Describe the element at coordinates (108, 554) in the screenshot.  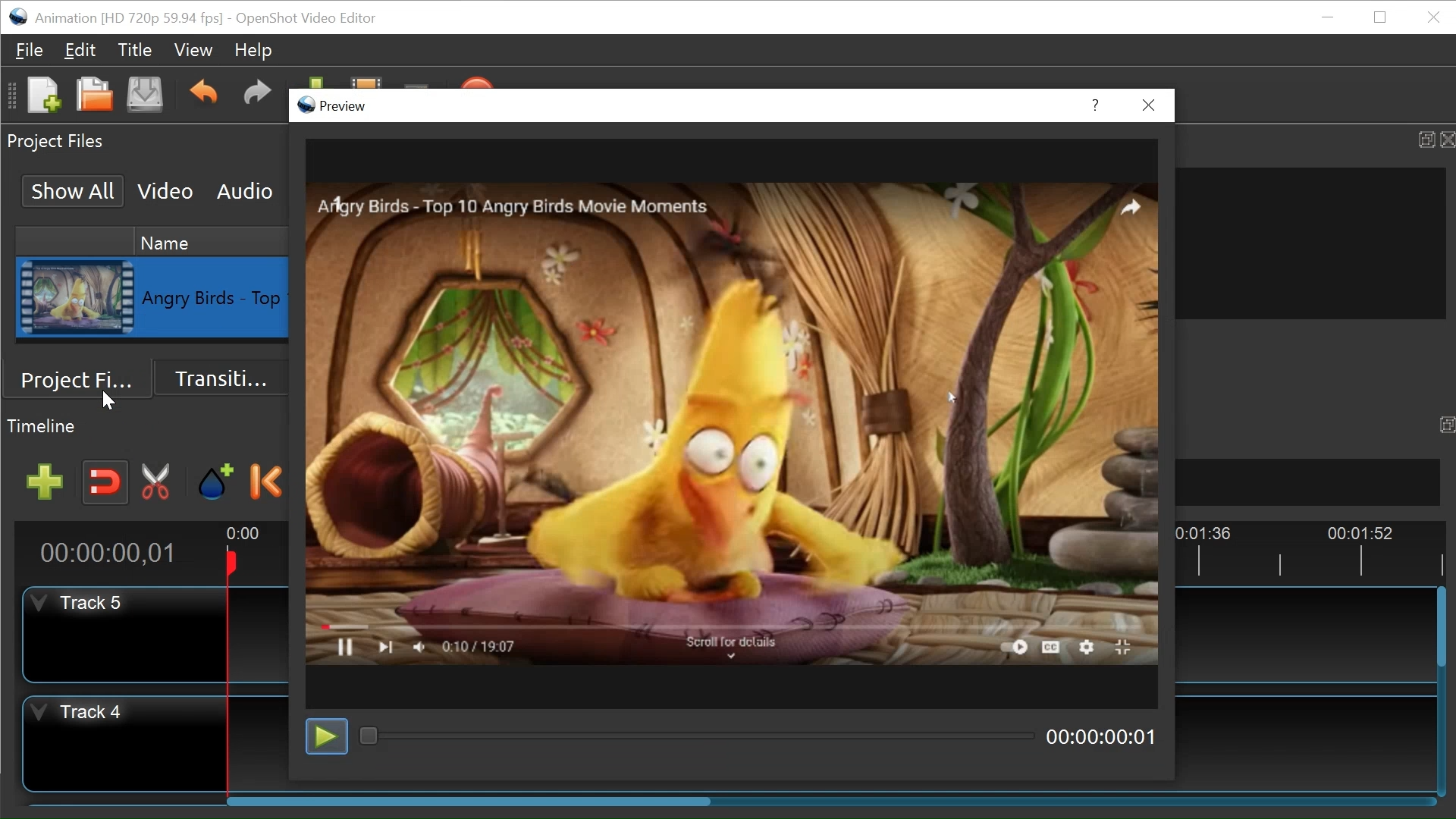
I see `Current Position` at that location.